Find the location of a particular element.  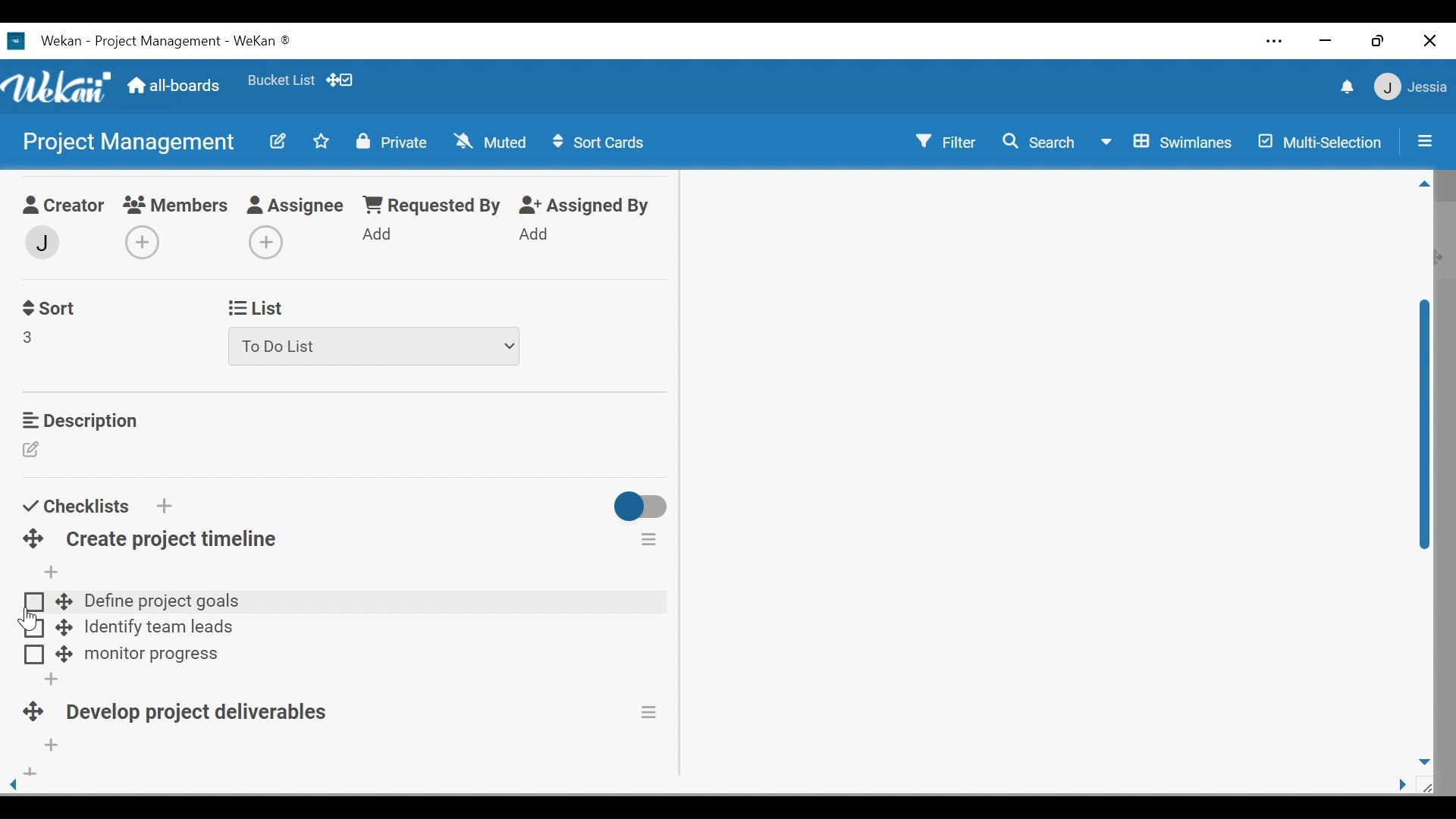

Checklist name is located at coordinates (203, 715).